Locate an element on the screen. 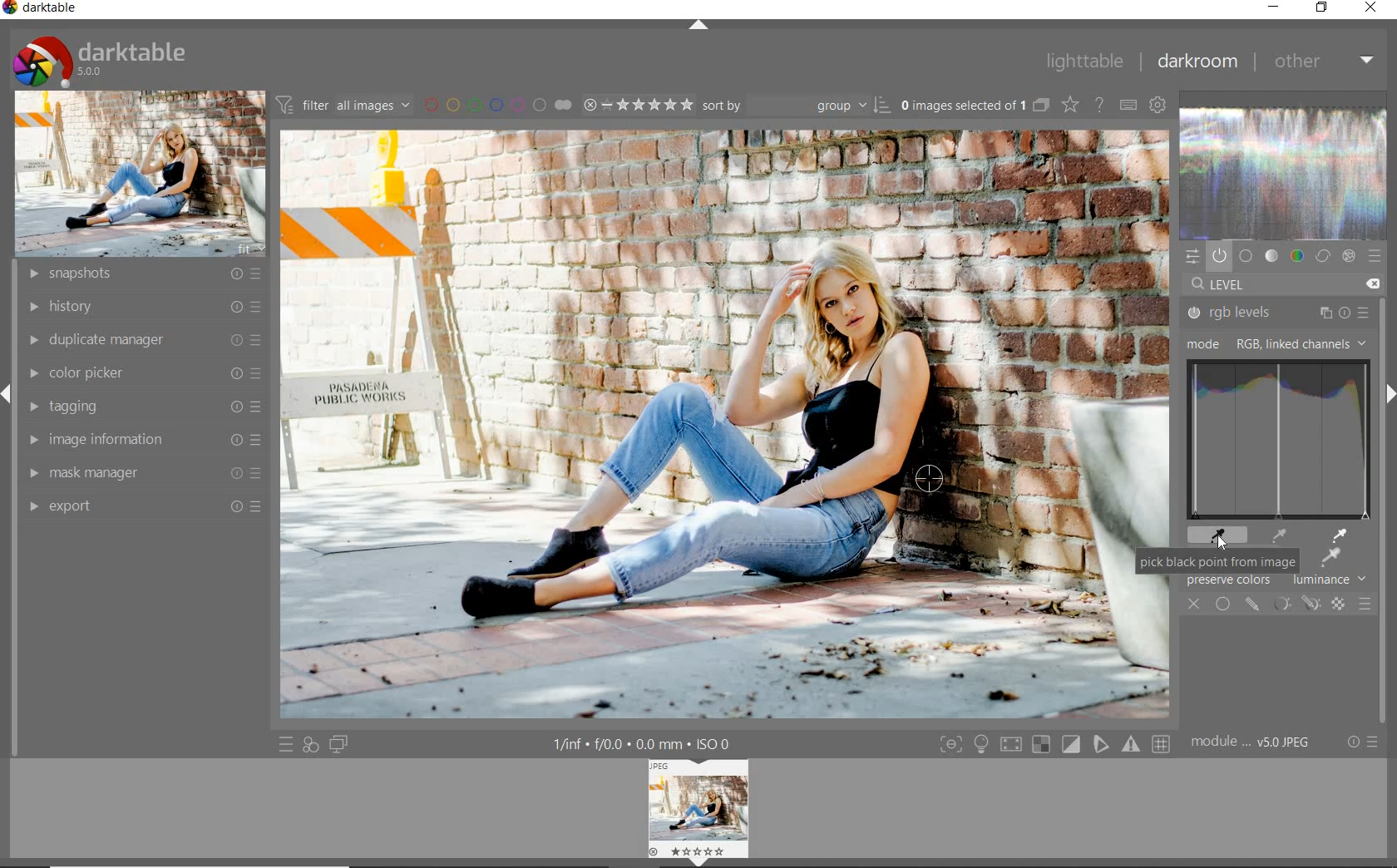  rgb levels is located at coordinates (1292, 313).